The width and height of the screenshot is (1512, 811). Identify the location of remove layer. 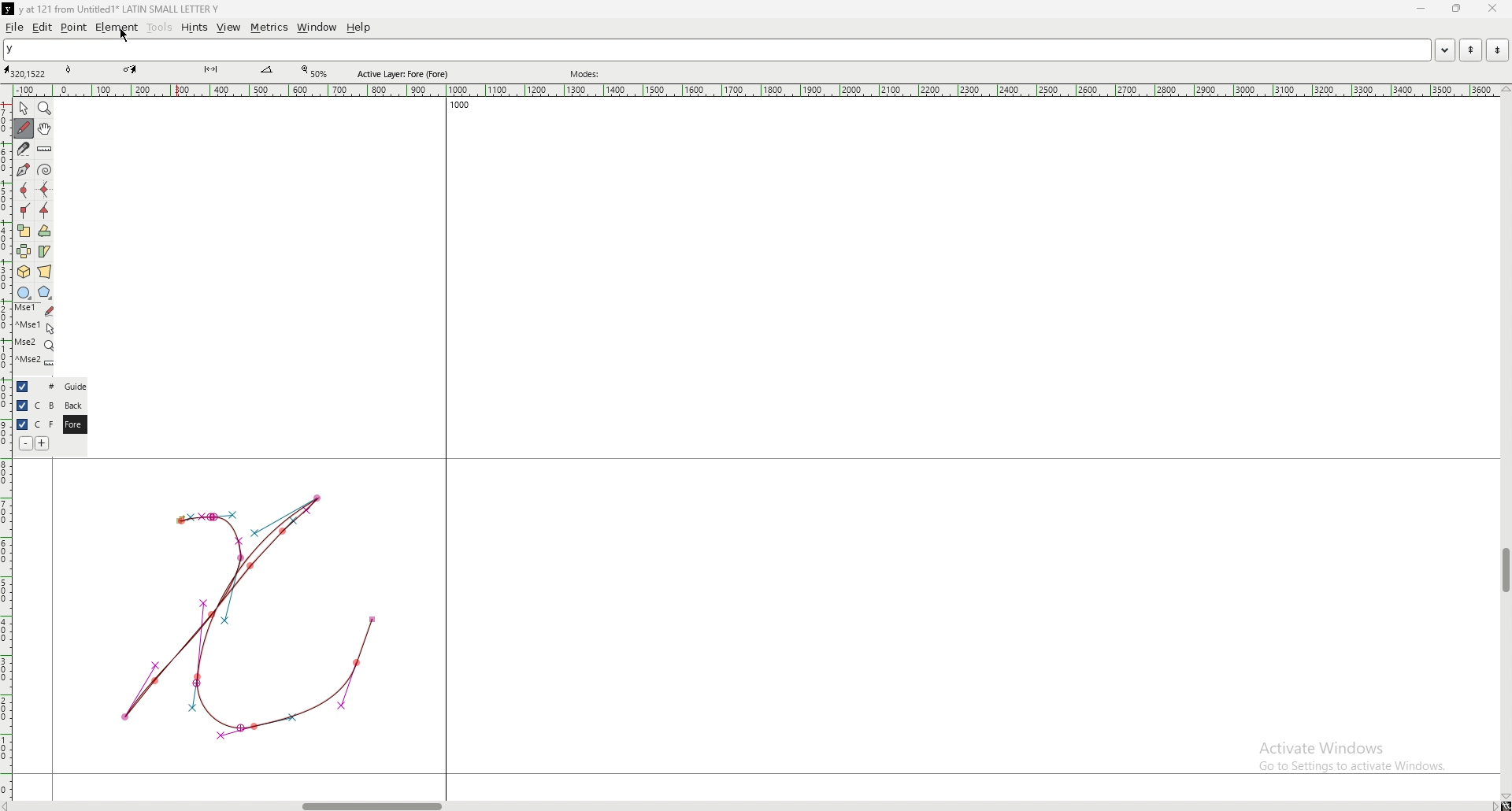
(25, 443).